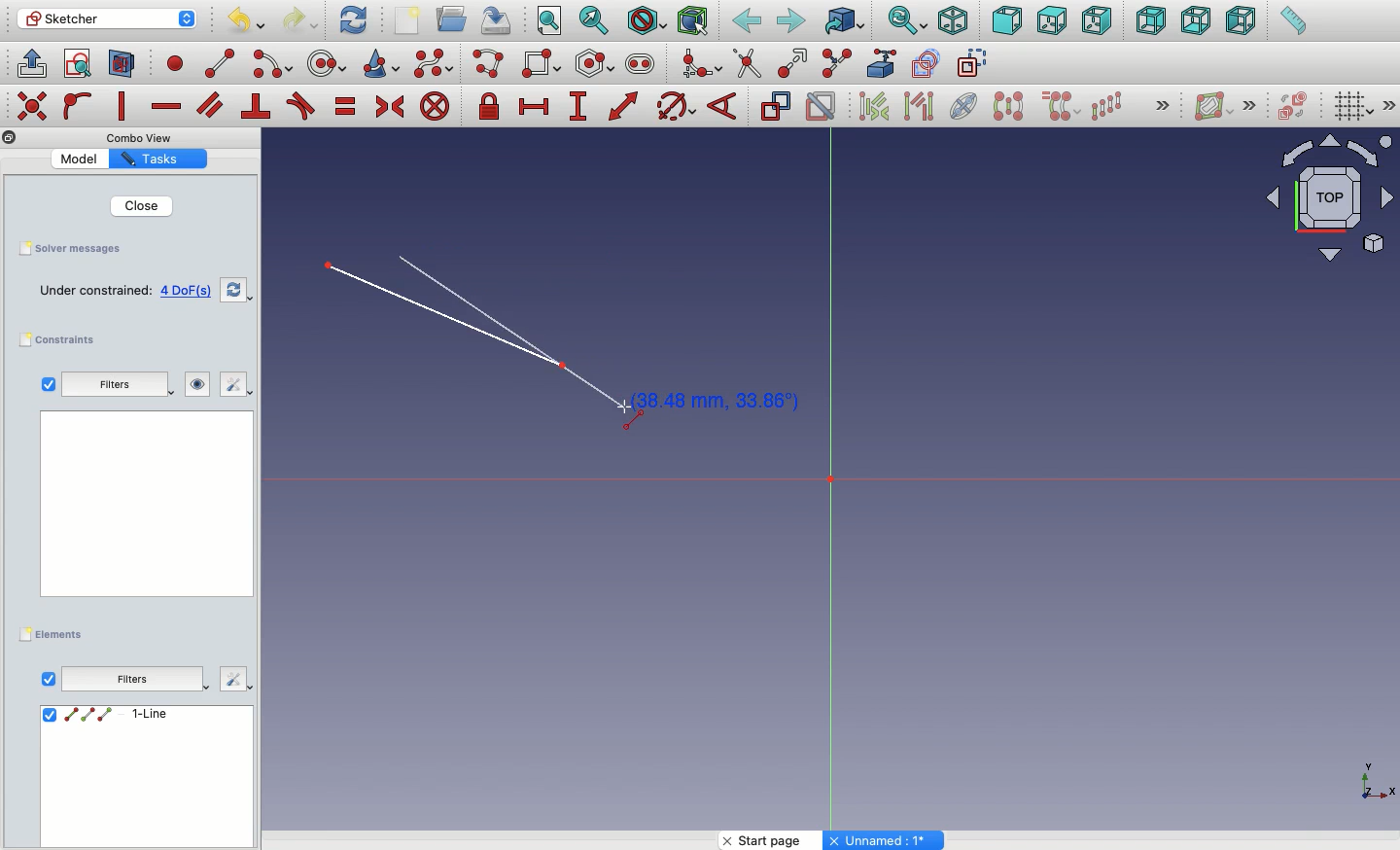 Image resolution: width=1400 pixels, height=850 pixels. What do you see at coordinates (543, 64) in the screenshot?
I see `Rectangle` at bounding box center [543, 64].